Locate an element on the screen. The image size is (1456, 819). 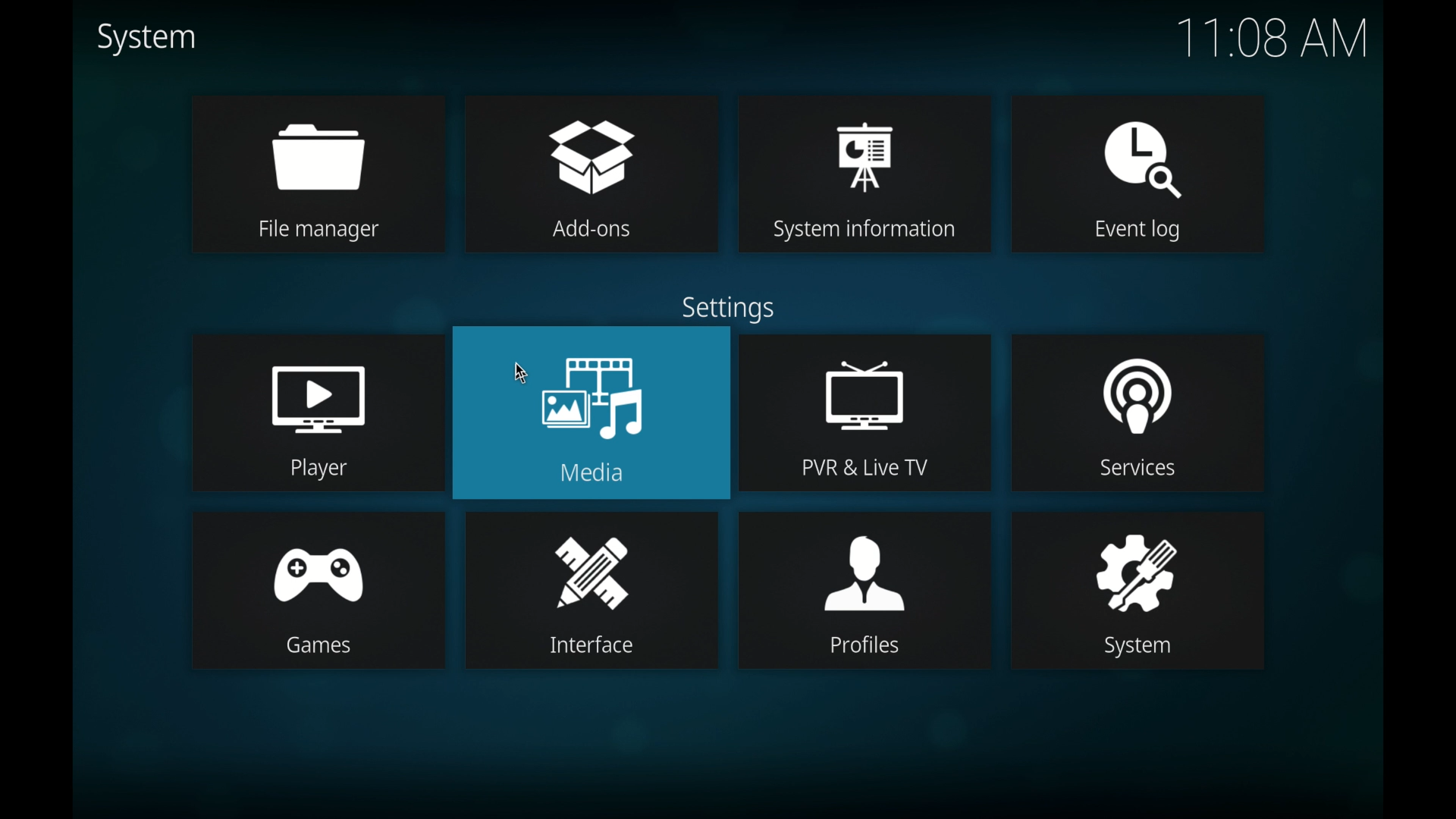
event log is located at coordinates (1141, 174).